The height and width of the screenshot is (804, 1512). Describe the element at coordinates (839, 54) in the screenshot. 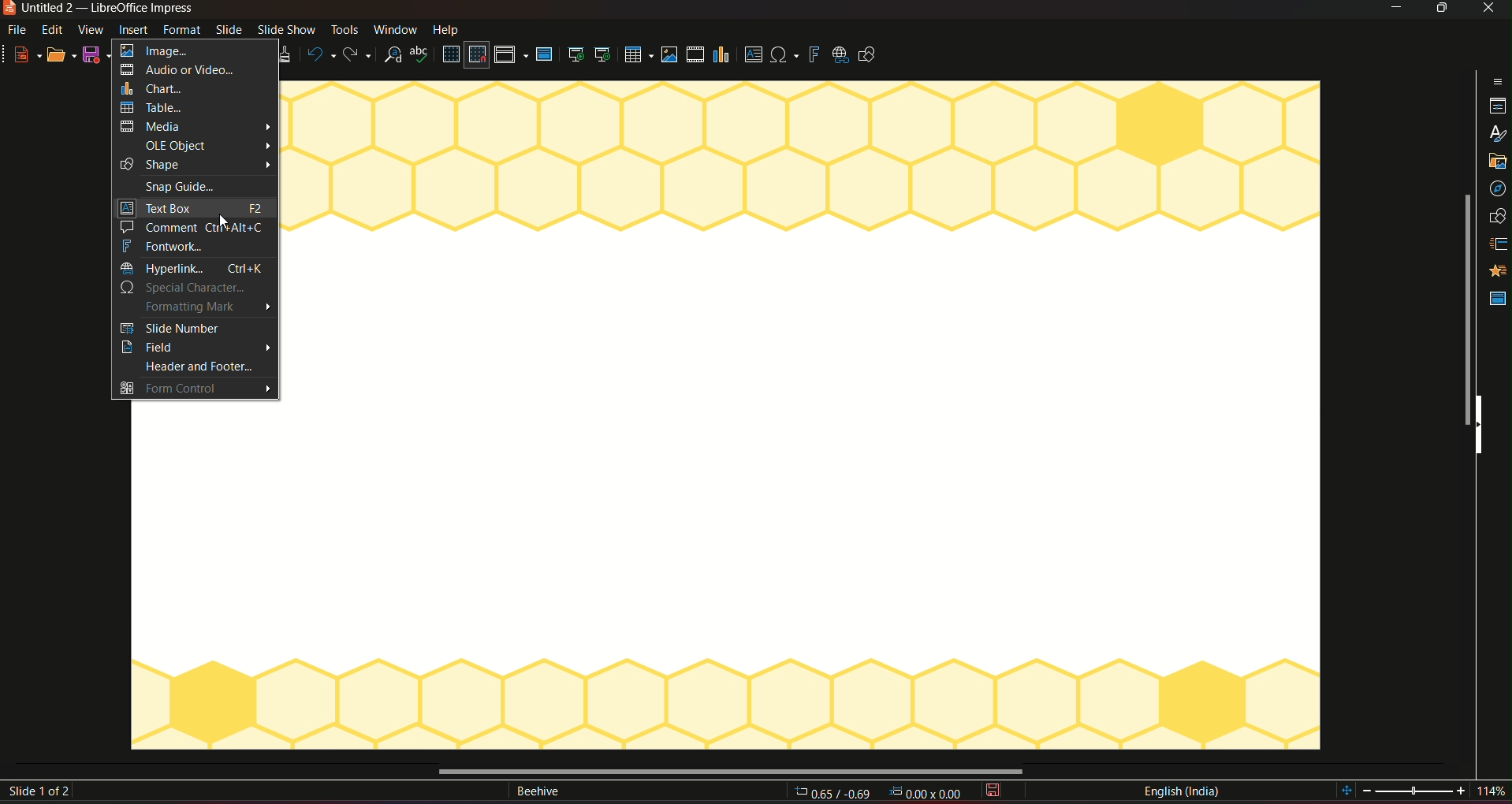

I see `insert hyperlink` at that location.